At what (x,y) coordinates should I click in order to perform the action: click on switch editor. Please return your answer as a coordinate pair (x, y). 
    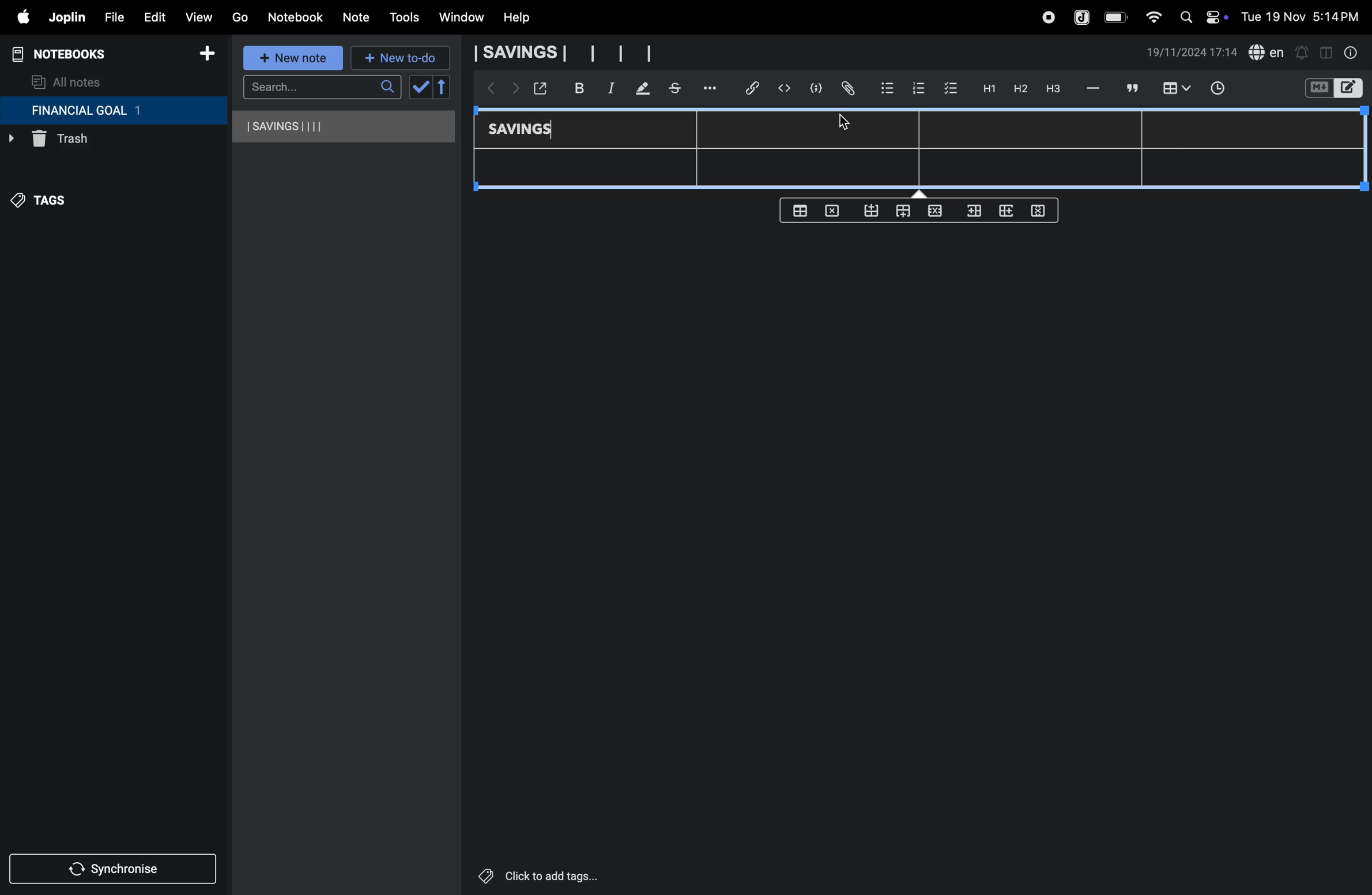
    Looking at the image, I should click on (1332, 88).